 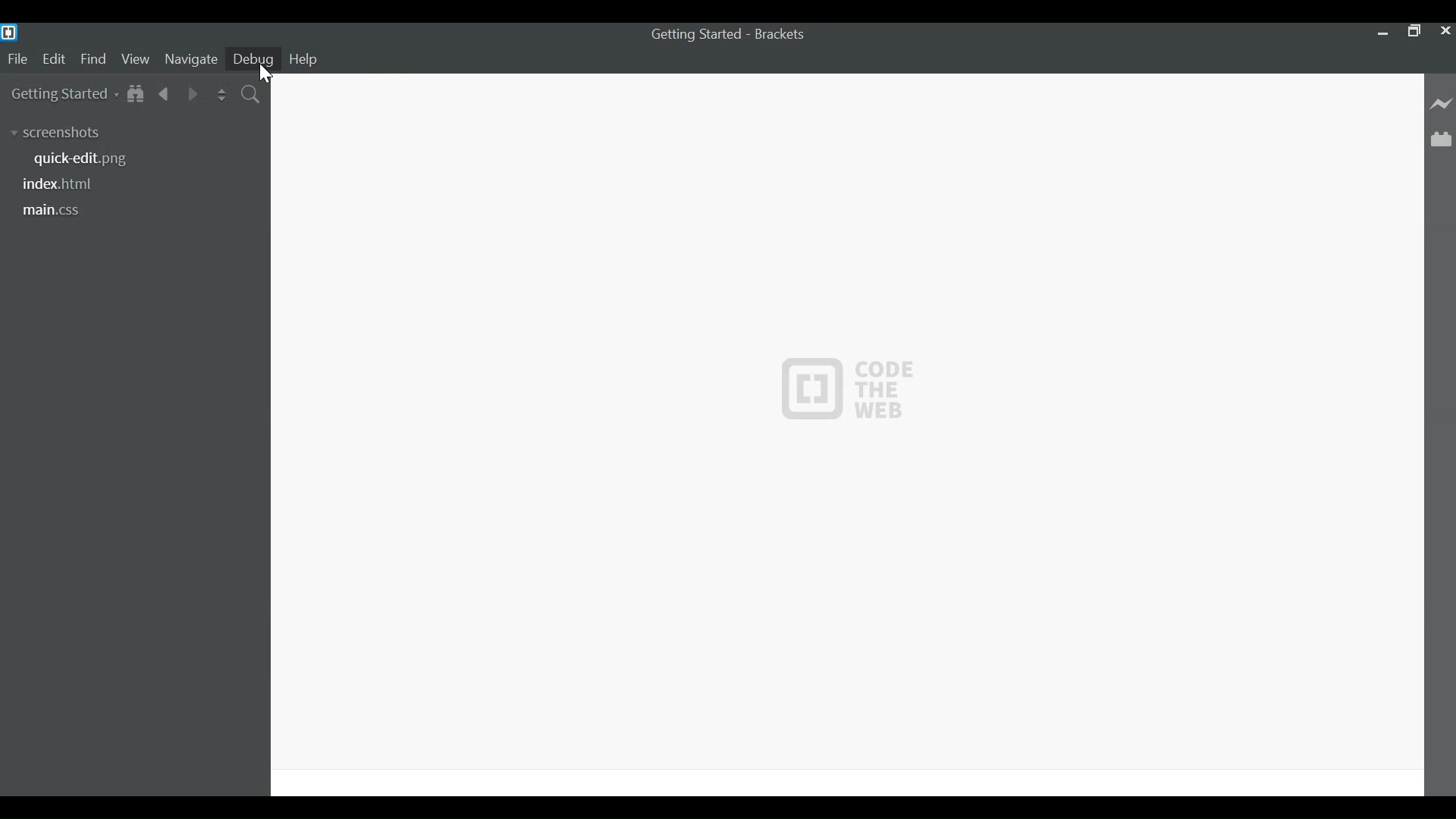 What do you see at coordinates (1441, 139) in the screenshot?
I see `Manage Extensions` at bounding box center [1441, 139].